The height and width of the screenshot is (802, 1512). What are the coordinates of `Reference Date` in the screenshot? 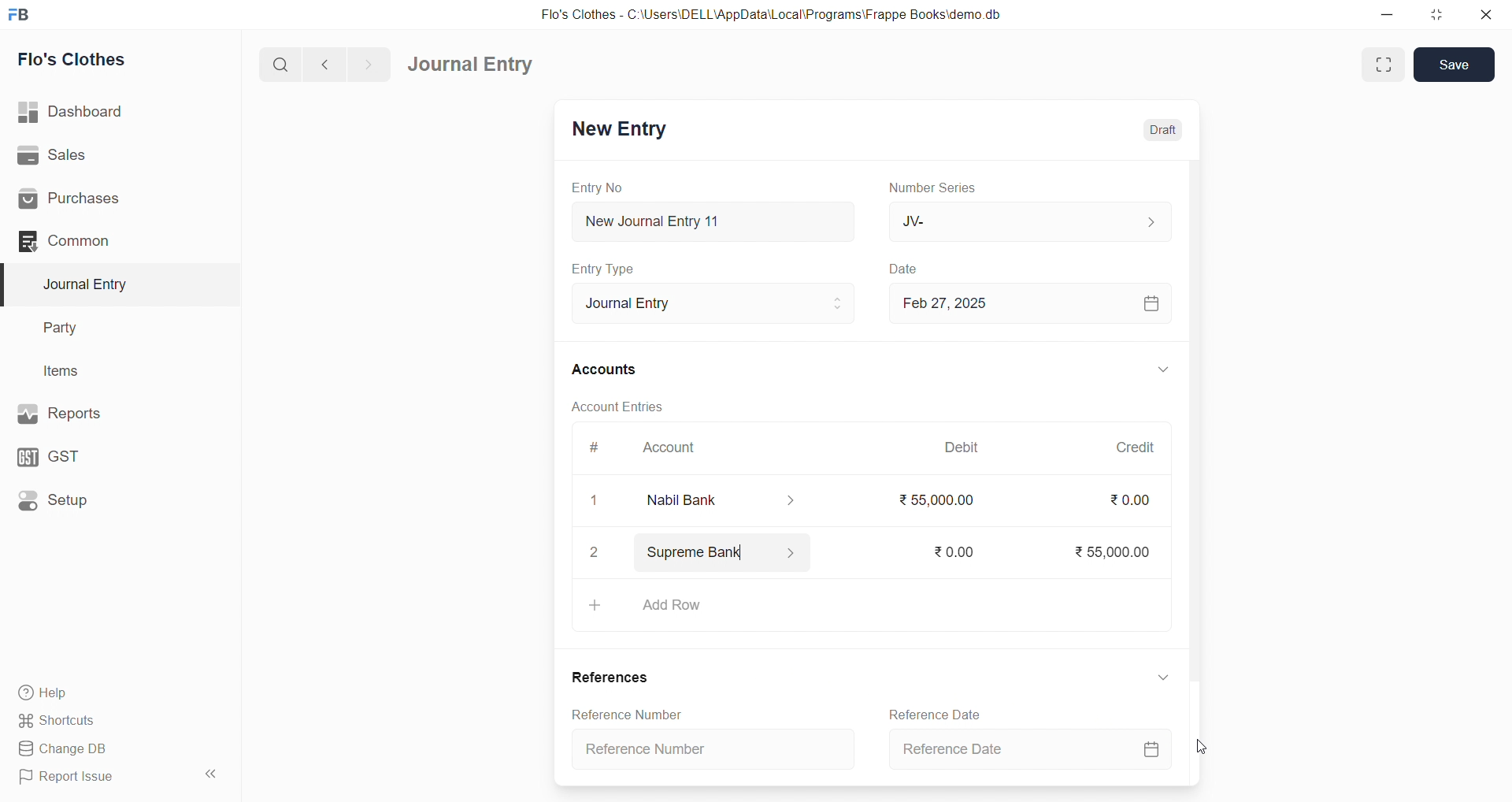 It's located at (935, 713).